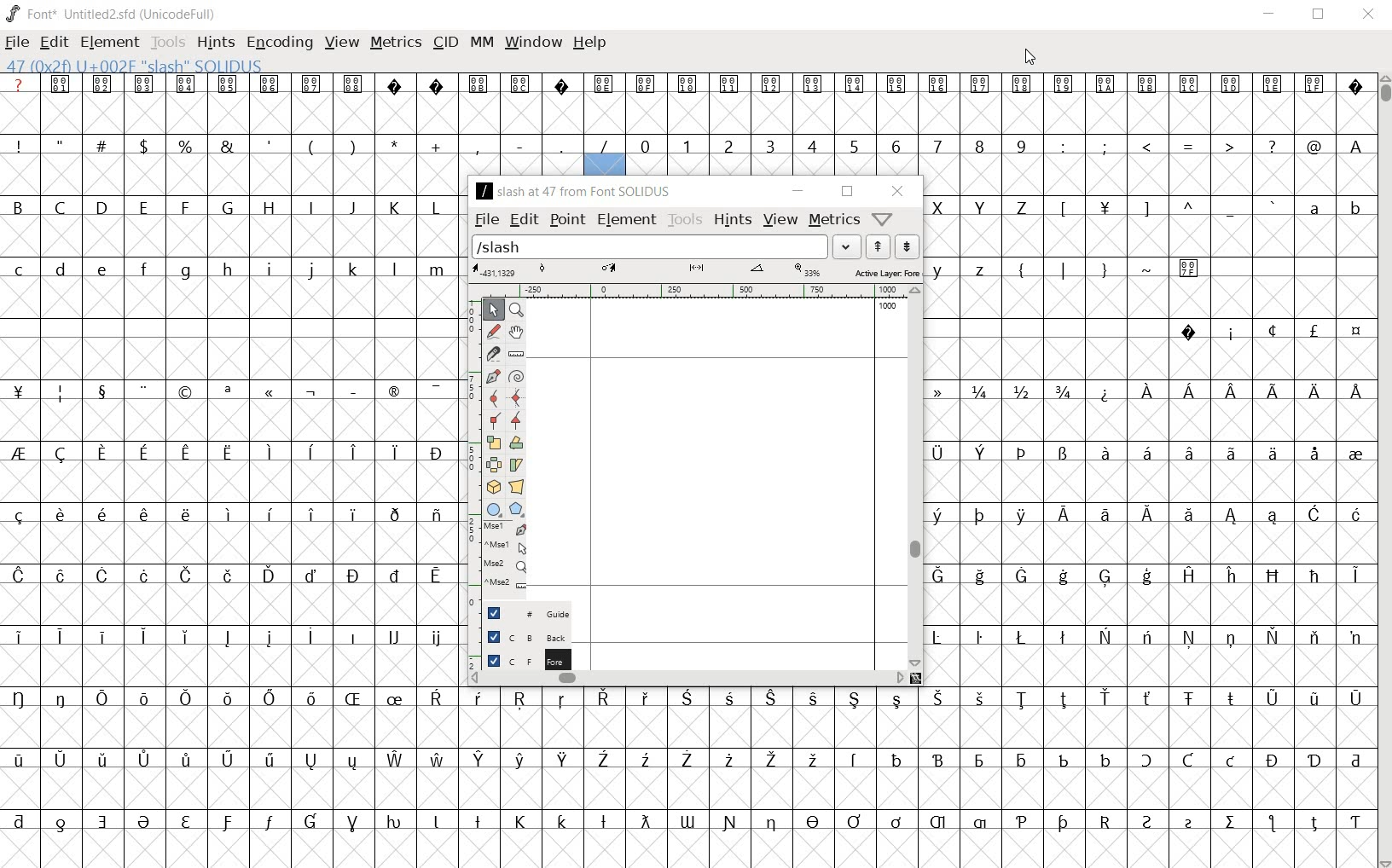 The height and width of the screenshot is (868, 1392). Describe the element at coordinates (233, 667) in the screenshot. I see `empty cells` at that location.